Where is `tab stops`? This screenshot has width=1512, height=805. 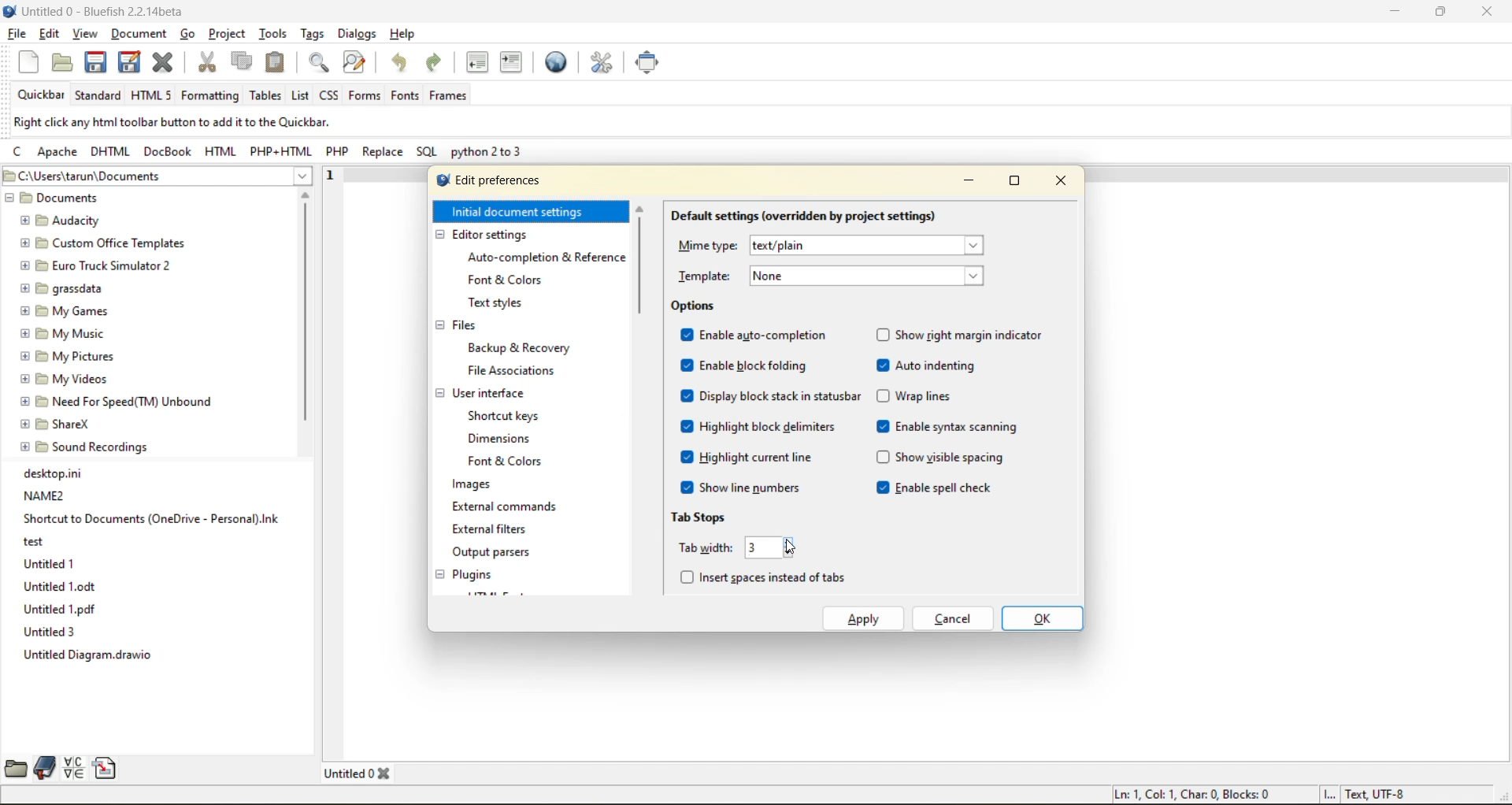 tab stops is located at coordinates (701, 517).